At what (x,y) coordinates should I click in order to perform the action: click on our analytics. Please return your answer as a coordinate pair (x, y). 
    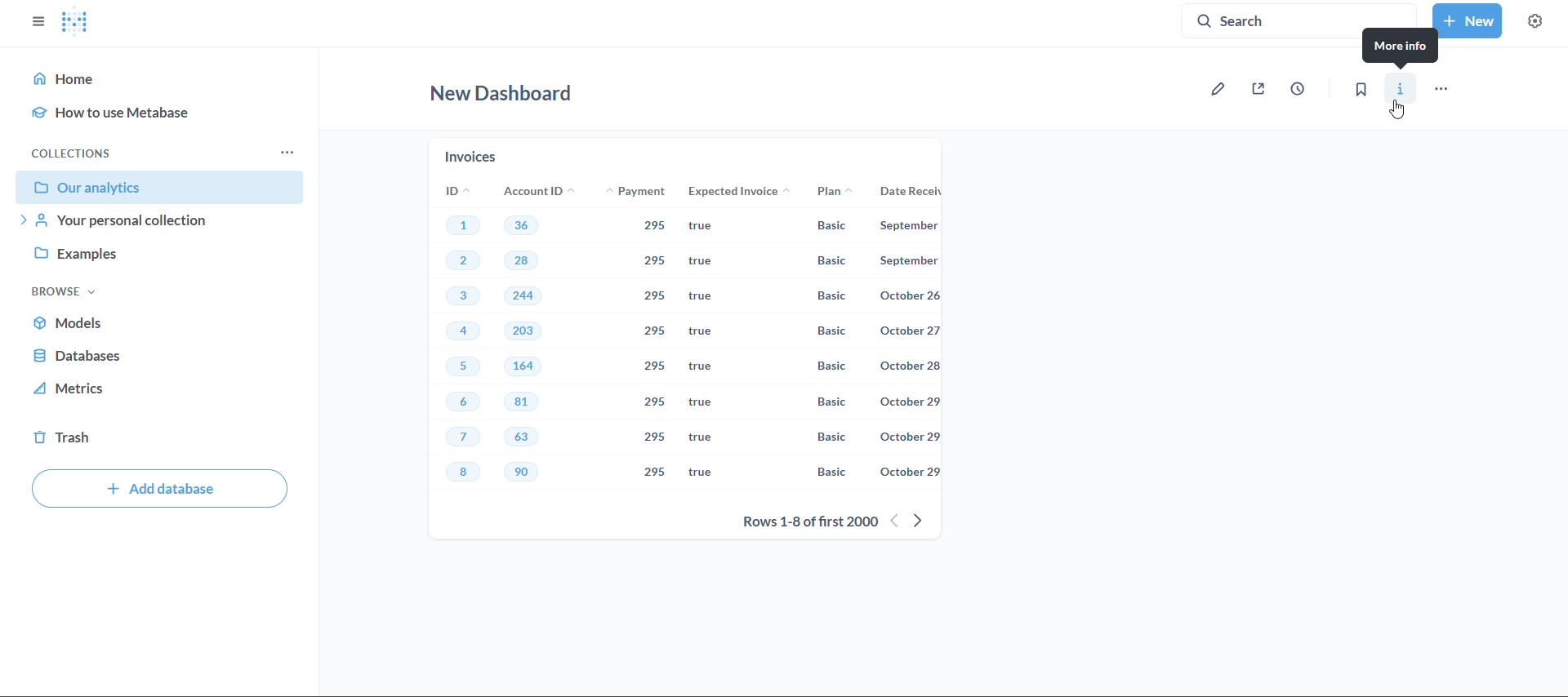
    Looking at the image, I should click on (159, 187).